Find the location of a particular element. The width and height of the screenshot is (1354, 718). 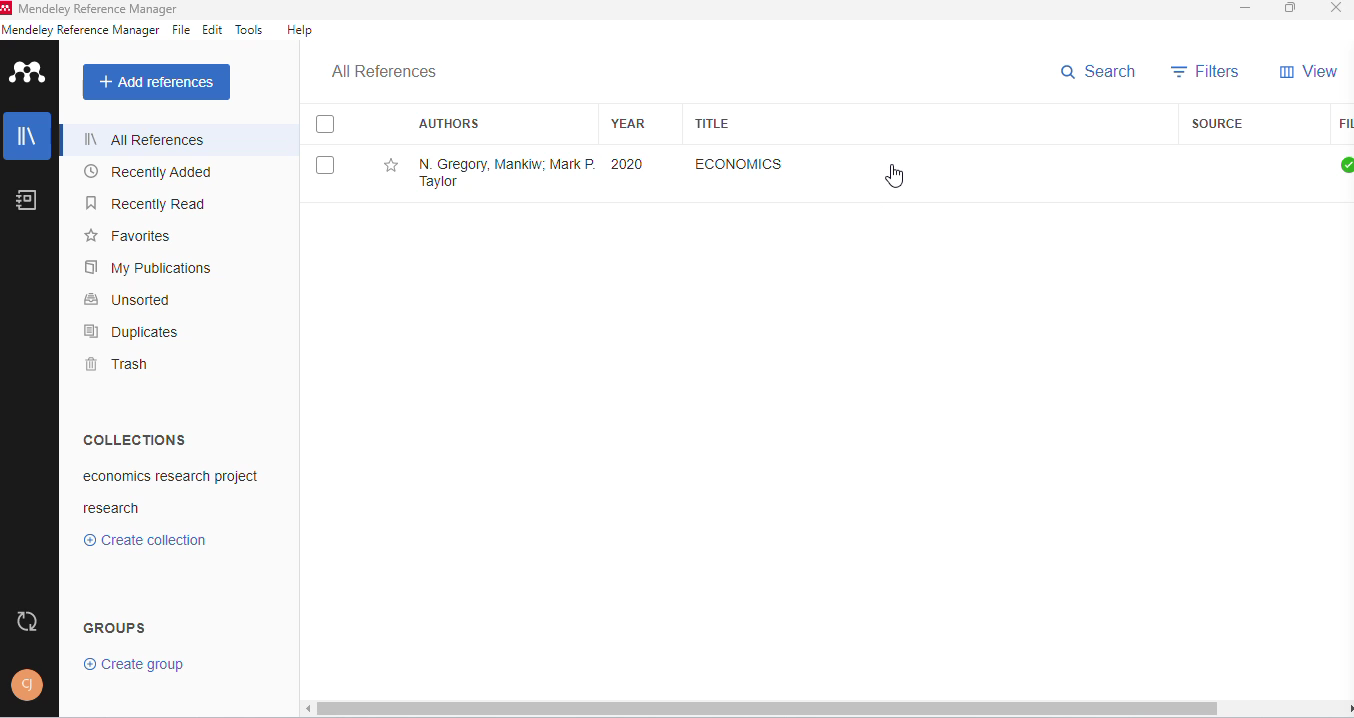

help is located at coordinates (300, 30).